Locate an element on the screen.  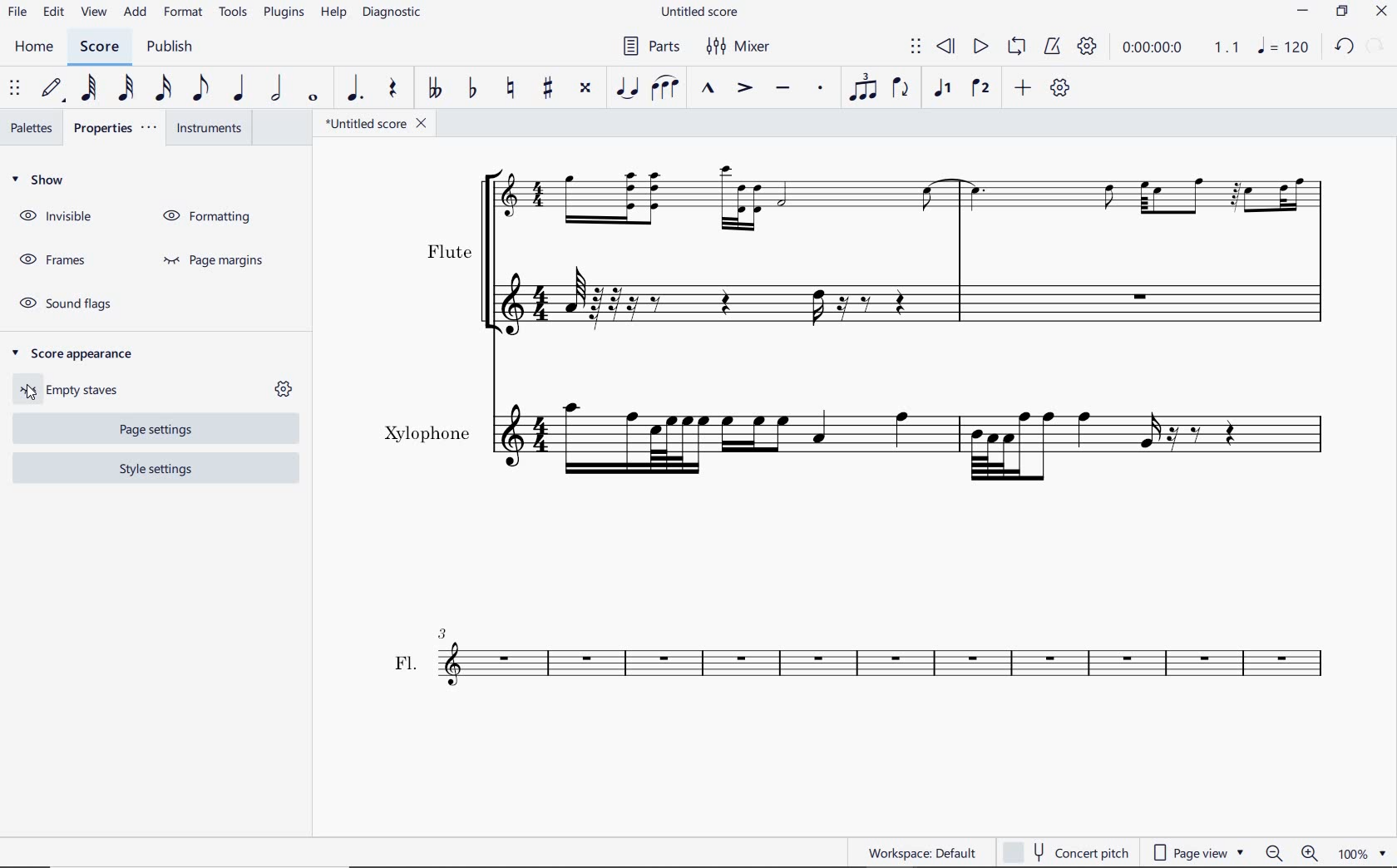
32ND NOTE is located at coordinates (123, 89).